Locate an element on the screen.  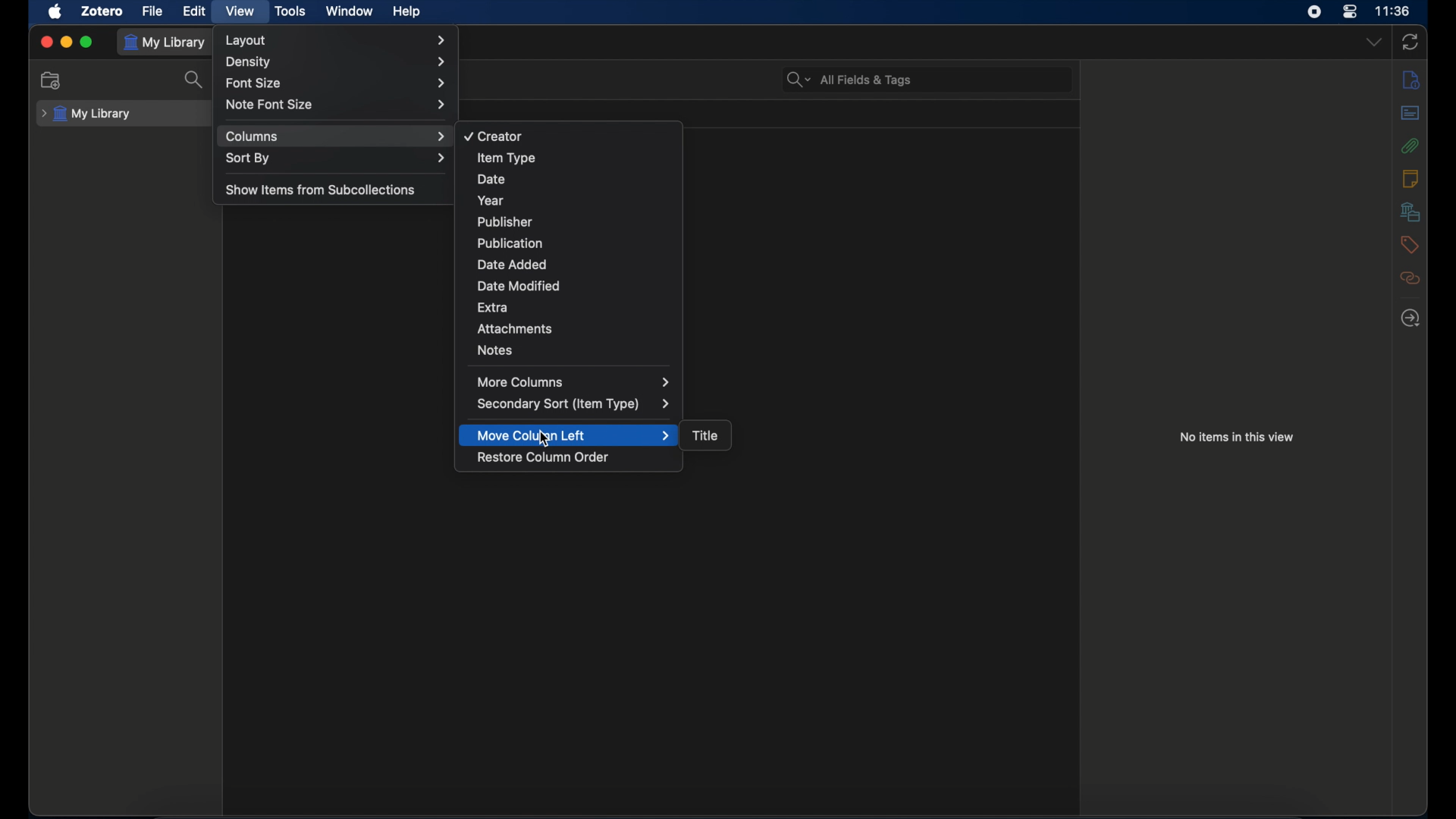
close is located at coordinates (46, 42).